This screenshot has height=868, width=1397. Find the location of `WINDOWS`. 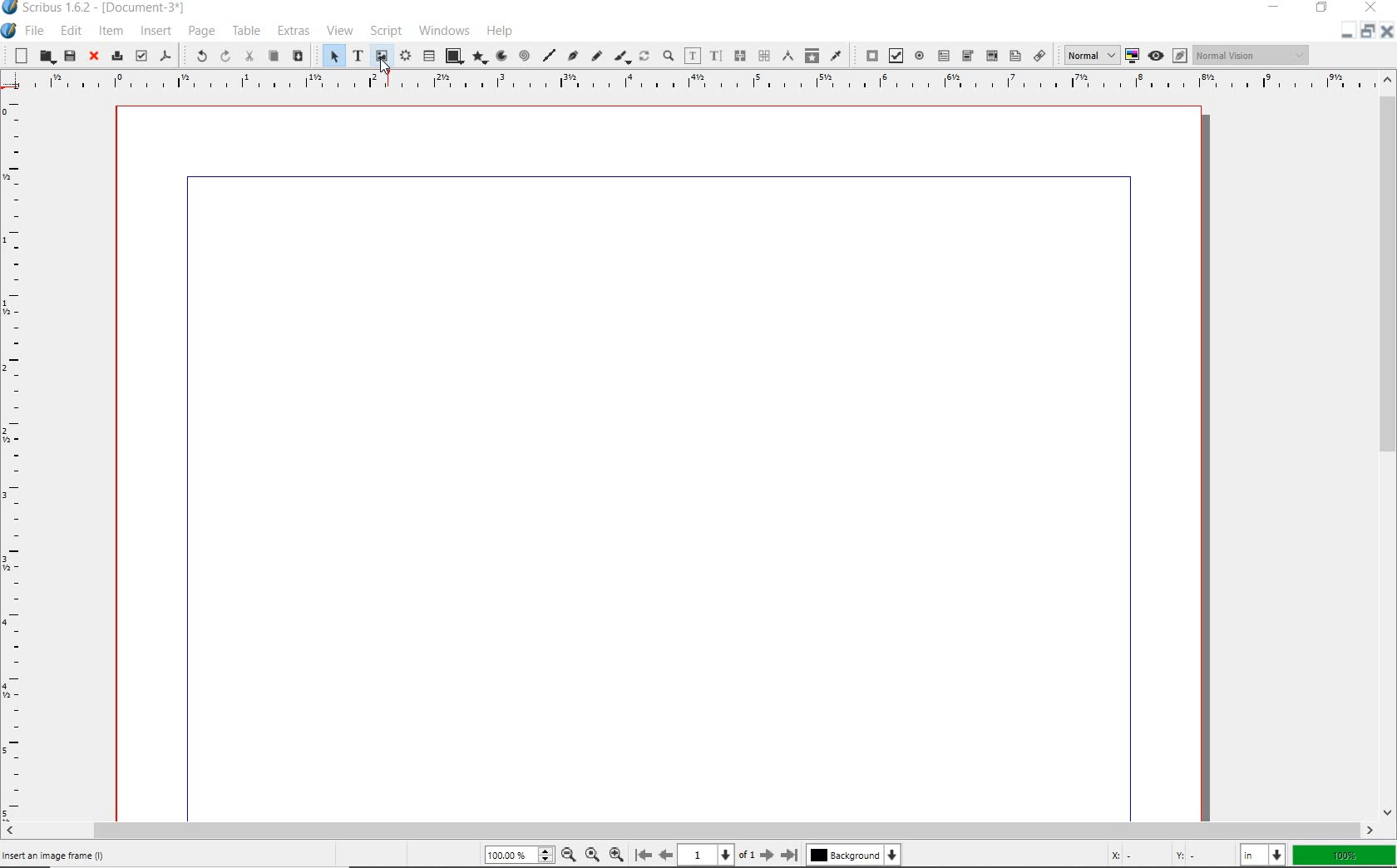

WINDOWS is located at coordinates (449, 31).